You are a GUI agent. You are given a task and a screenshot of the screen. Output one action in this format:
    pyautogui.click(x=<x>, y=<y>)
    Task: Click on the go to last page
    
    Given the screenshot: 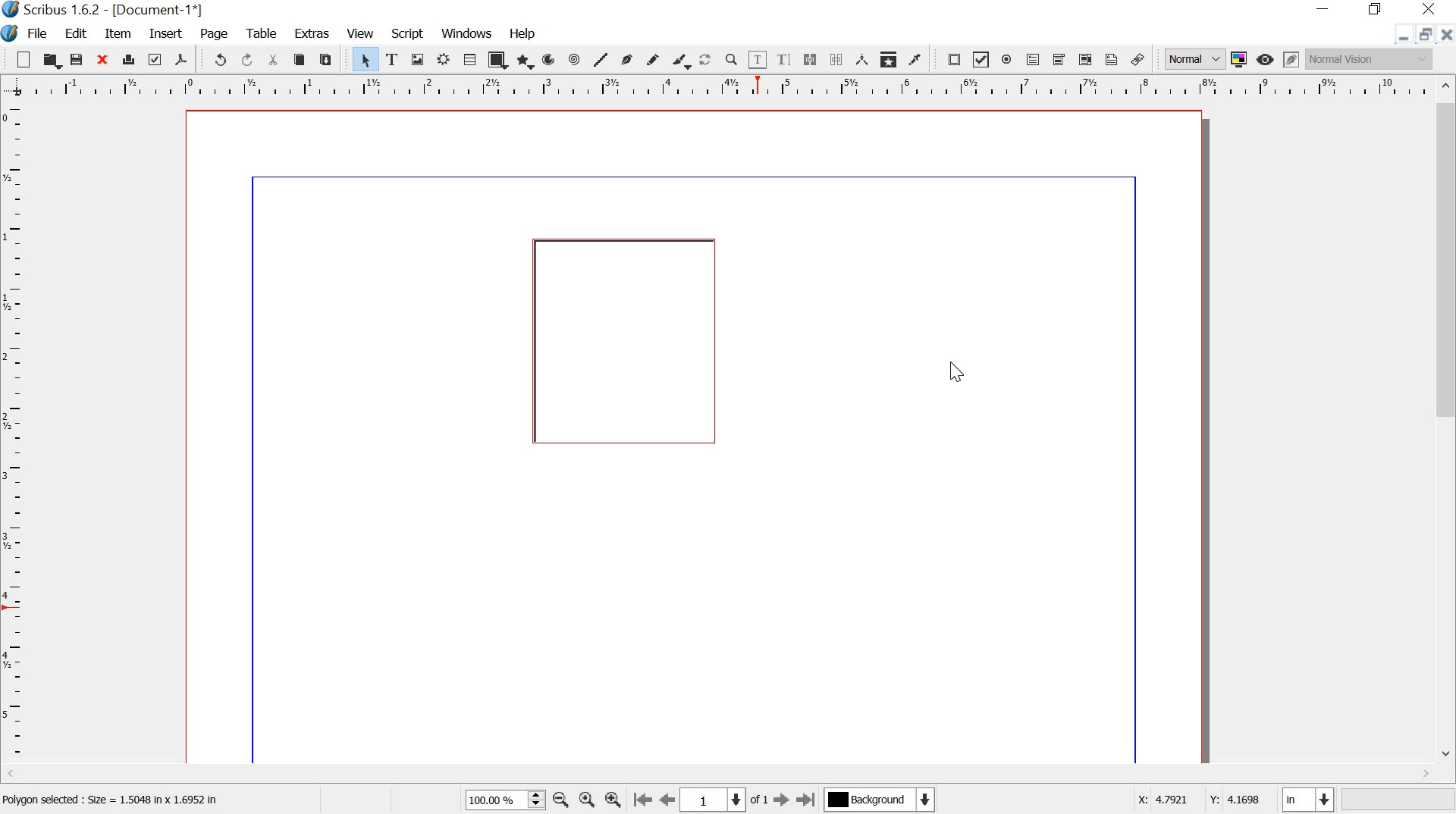 What is the action you would take?
    pyautogui.click(x=808, y=799)
    